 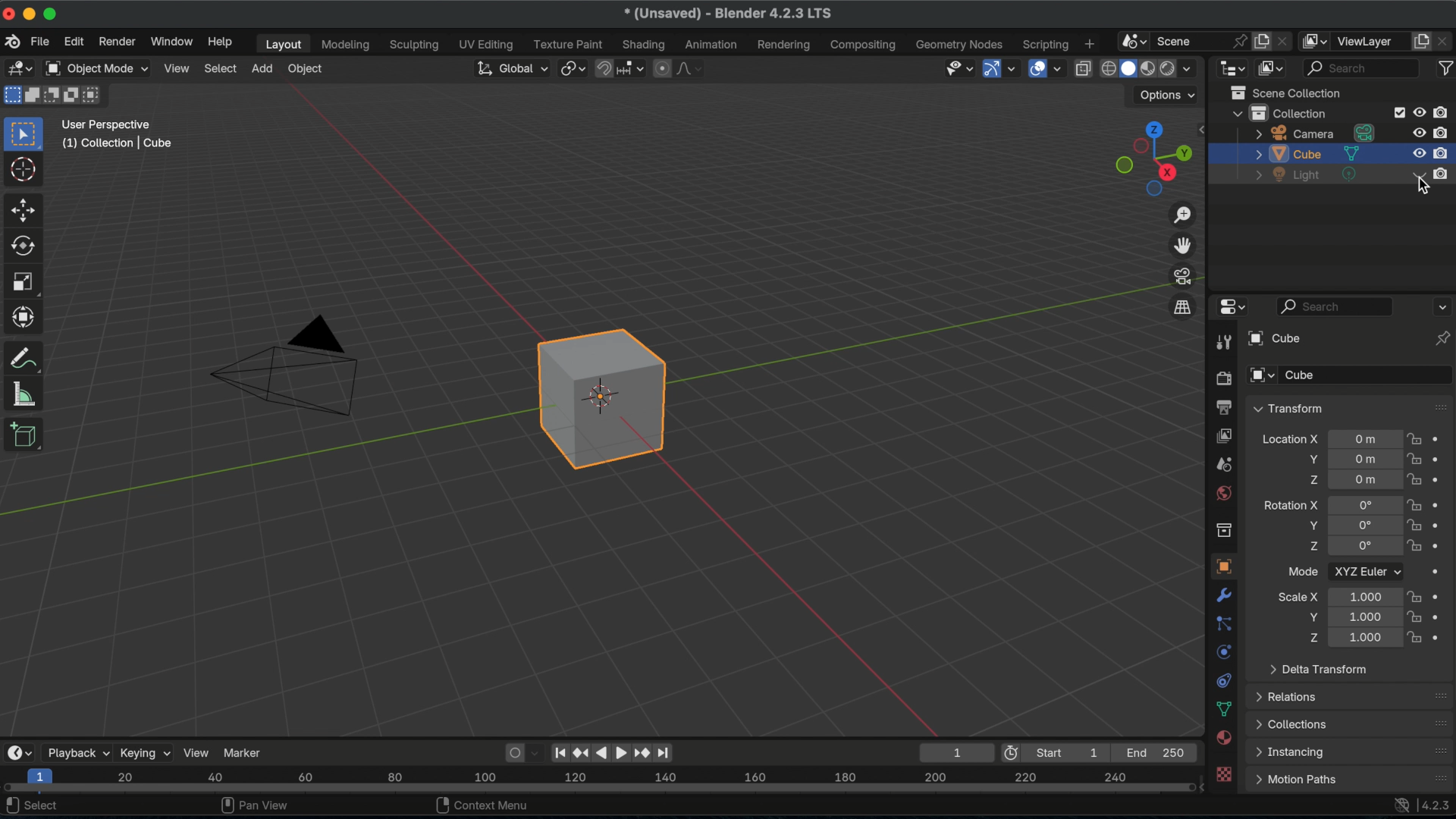 I want to click on fast forwards, so click(x=639, y=755).